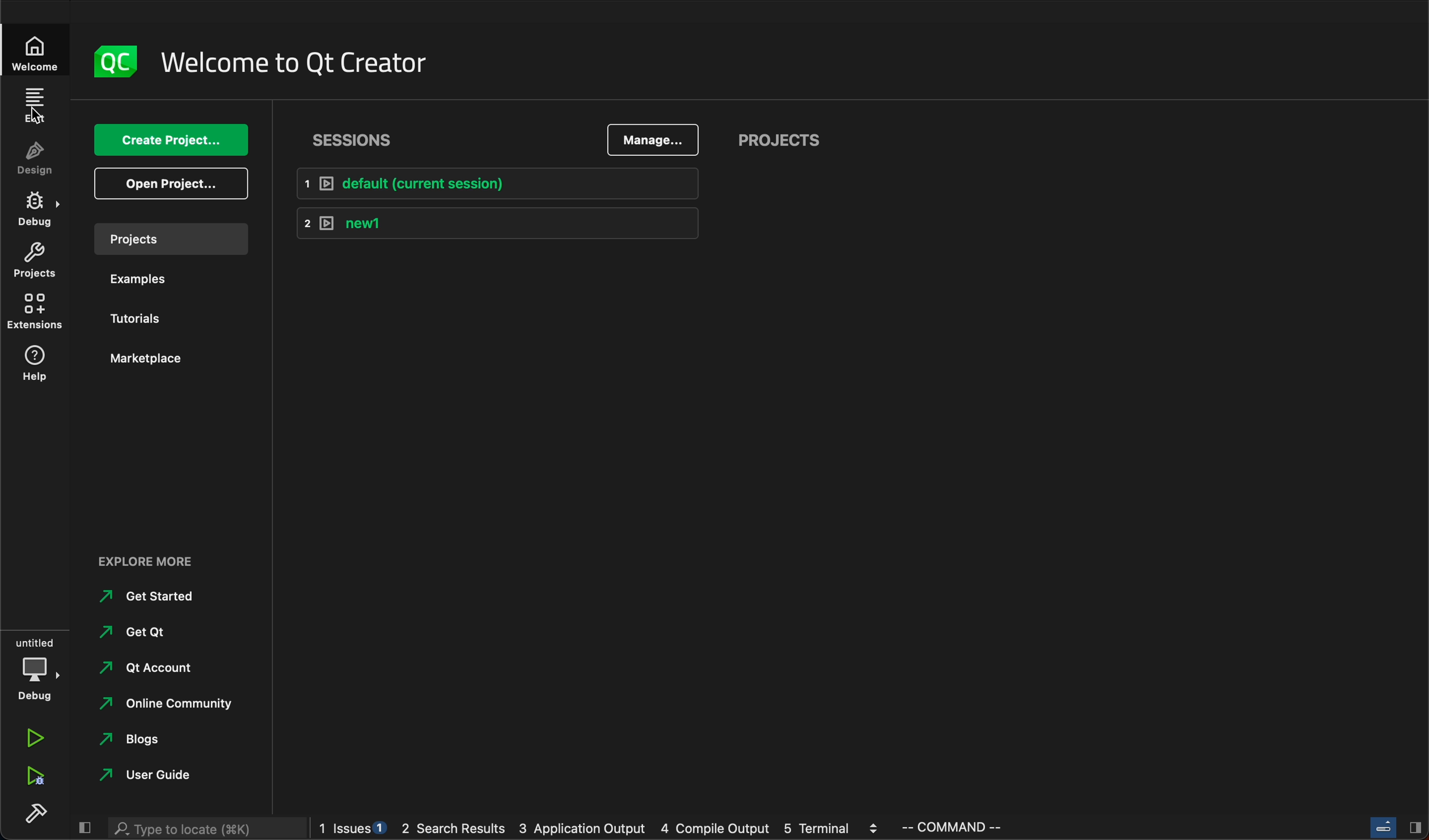 The image size is (1429, 840). What do you see at coordinates (36, 107) in the screenshot?
I see `edit` at bounding box center [36, 107].